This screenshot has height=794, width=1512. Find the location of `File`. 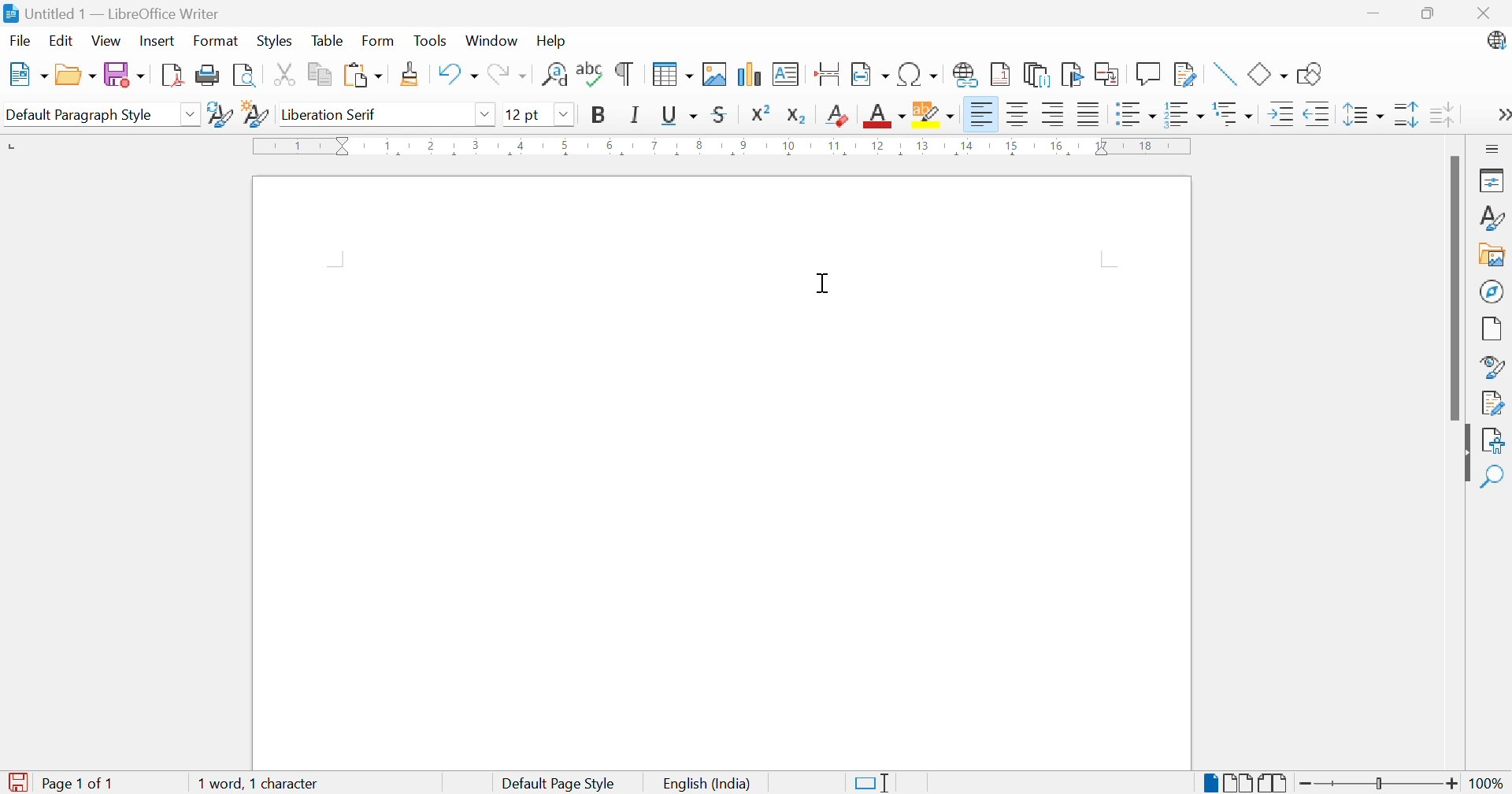

File is located at coordinates (18, 39).